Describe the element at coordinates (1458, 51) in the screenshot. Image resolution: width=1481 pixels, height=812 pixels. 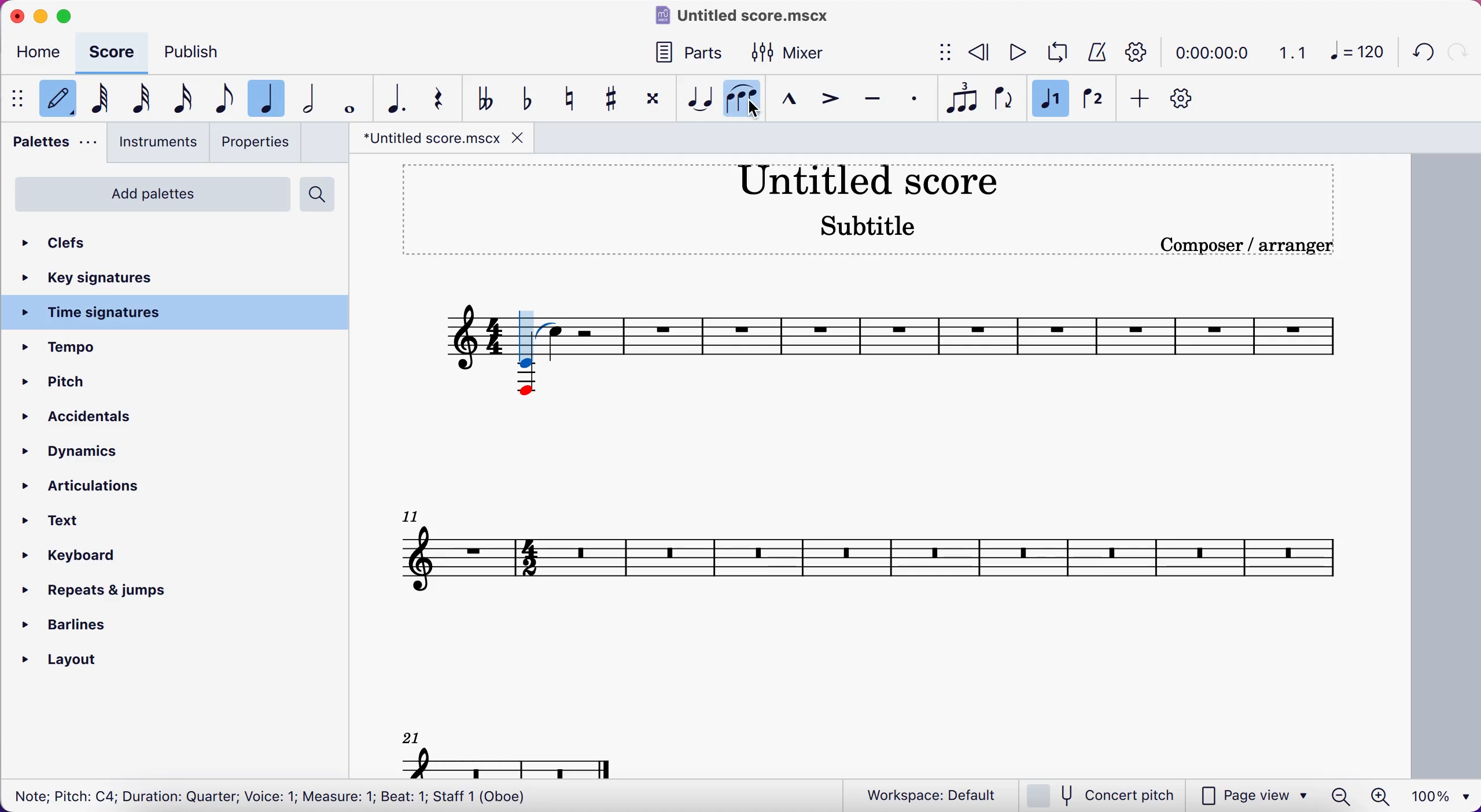
I see `redo` at that location.